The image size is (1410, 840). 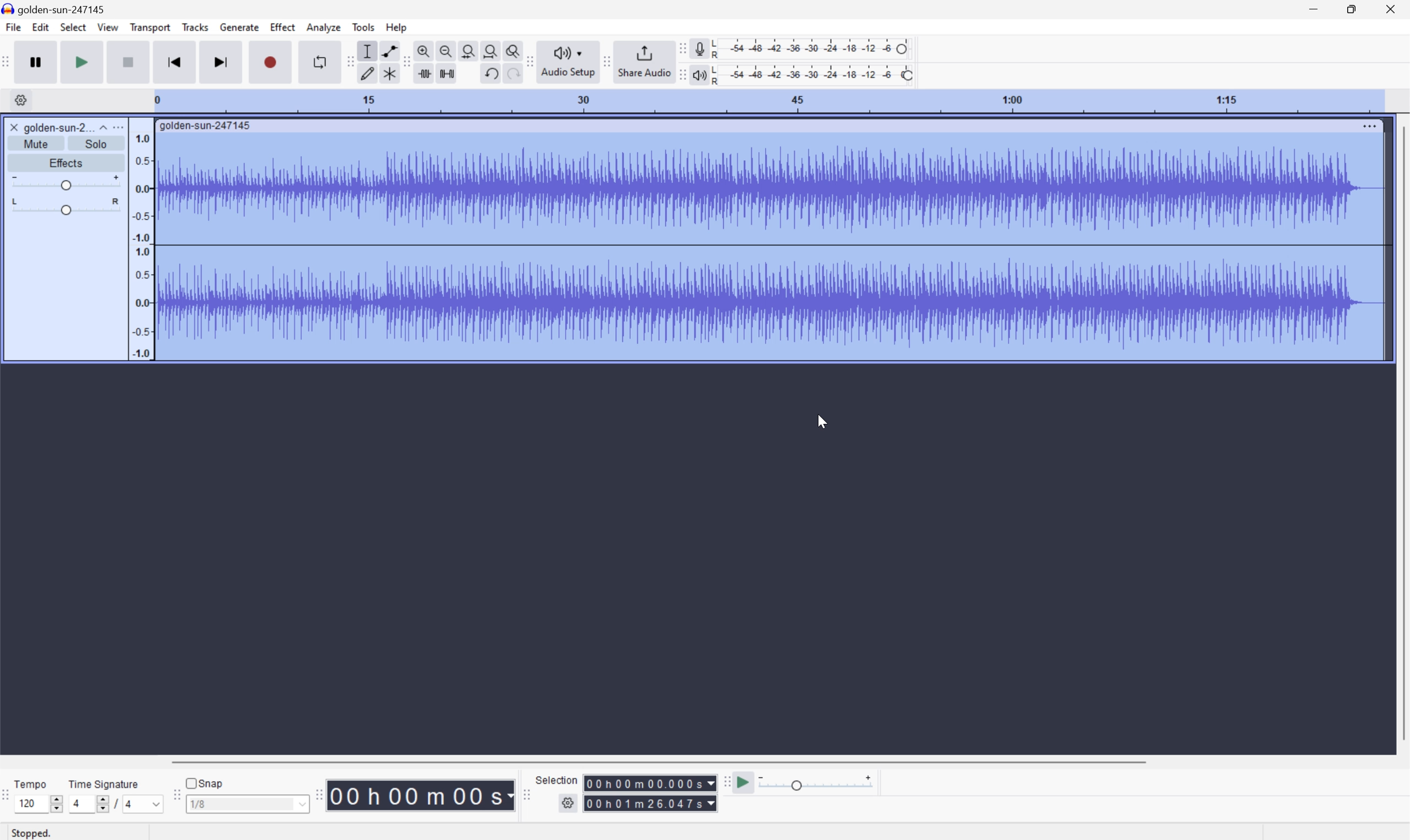 I want to click on Audacity tools toolbar, so click(x=348, y=61).